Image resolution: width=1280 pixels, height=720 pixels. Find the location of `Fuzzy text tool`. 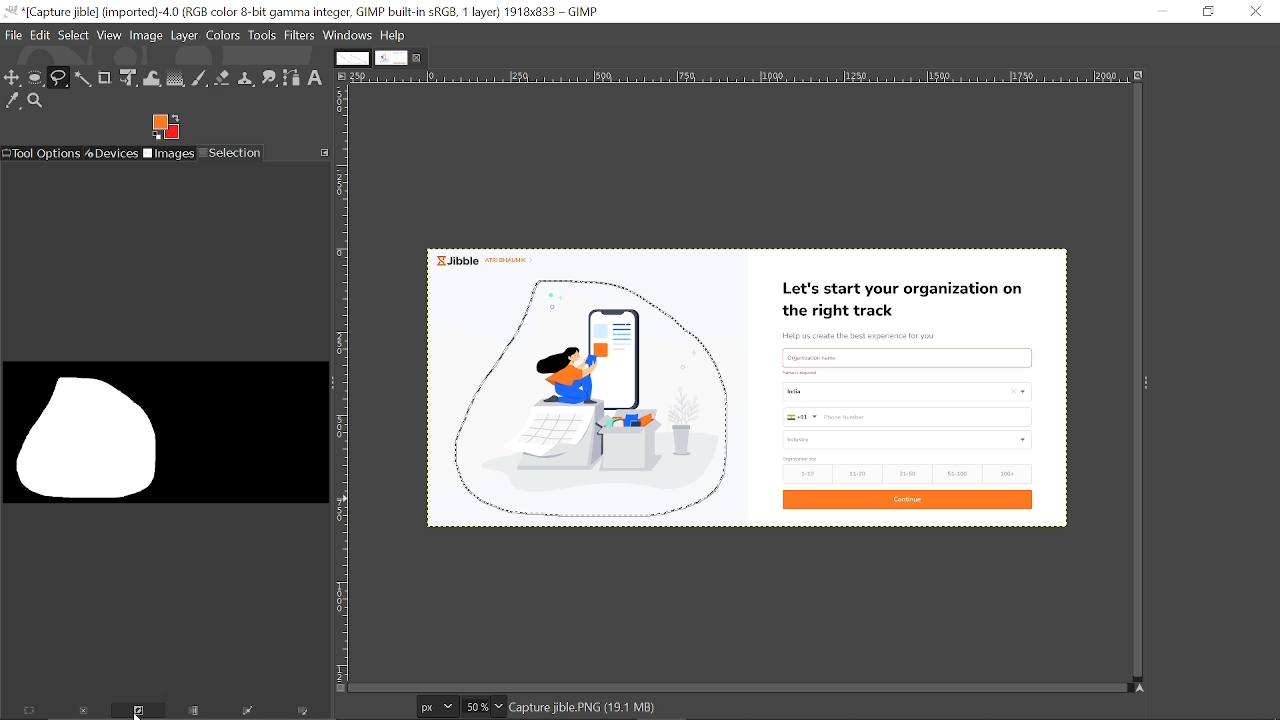

Fuzzy text tool is located at coordinates (83, 78).